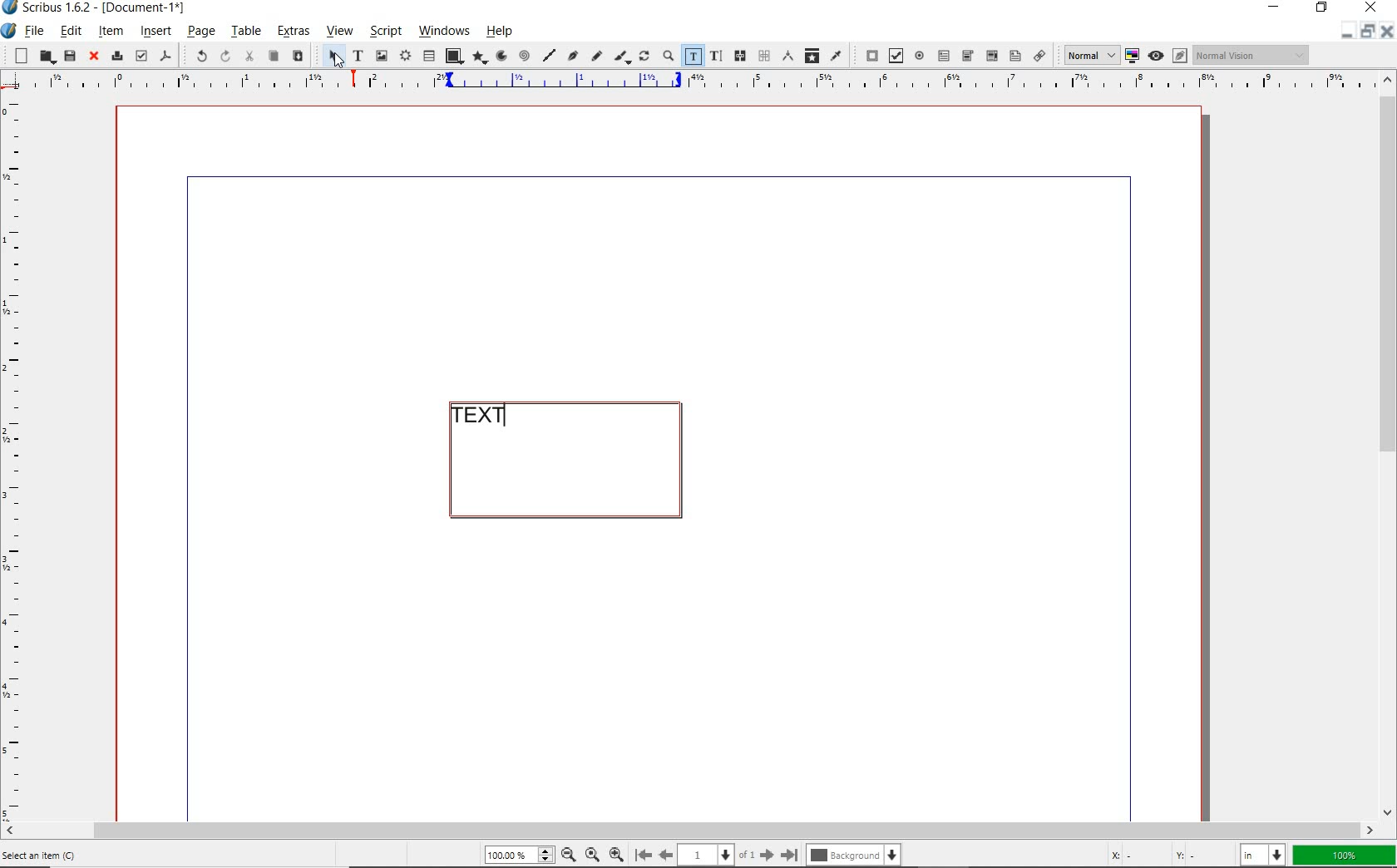  What do you see at coordinates (719, 856) in the screenshot?
I see `1 of 1` at bounding box center [719, 856].